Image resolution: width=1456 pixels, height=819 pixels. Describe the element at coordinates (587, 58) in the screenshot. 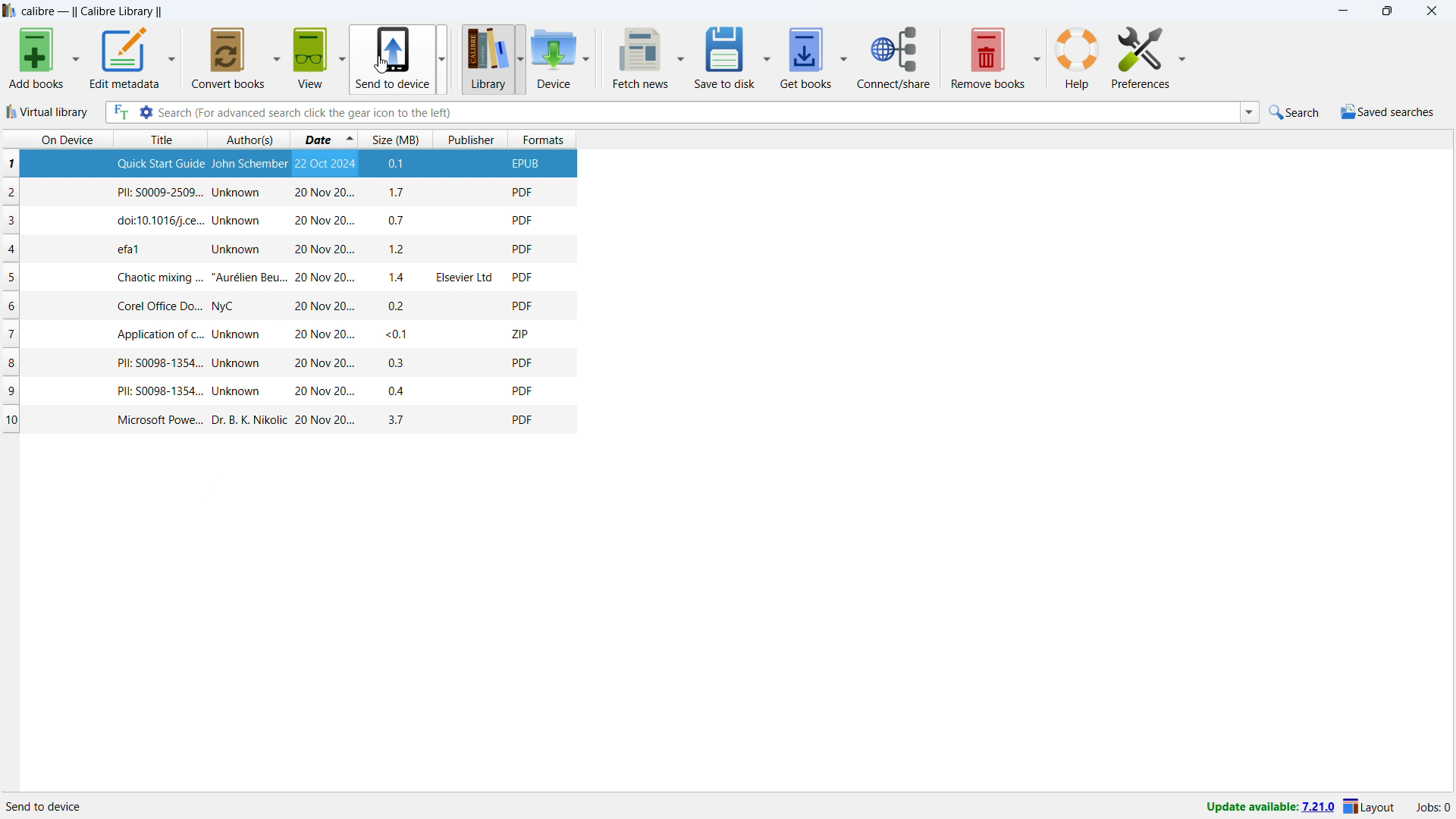

I see `device options` at that location.